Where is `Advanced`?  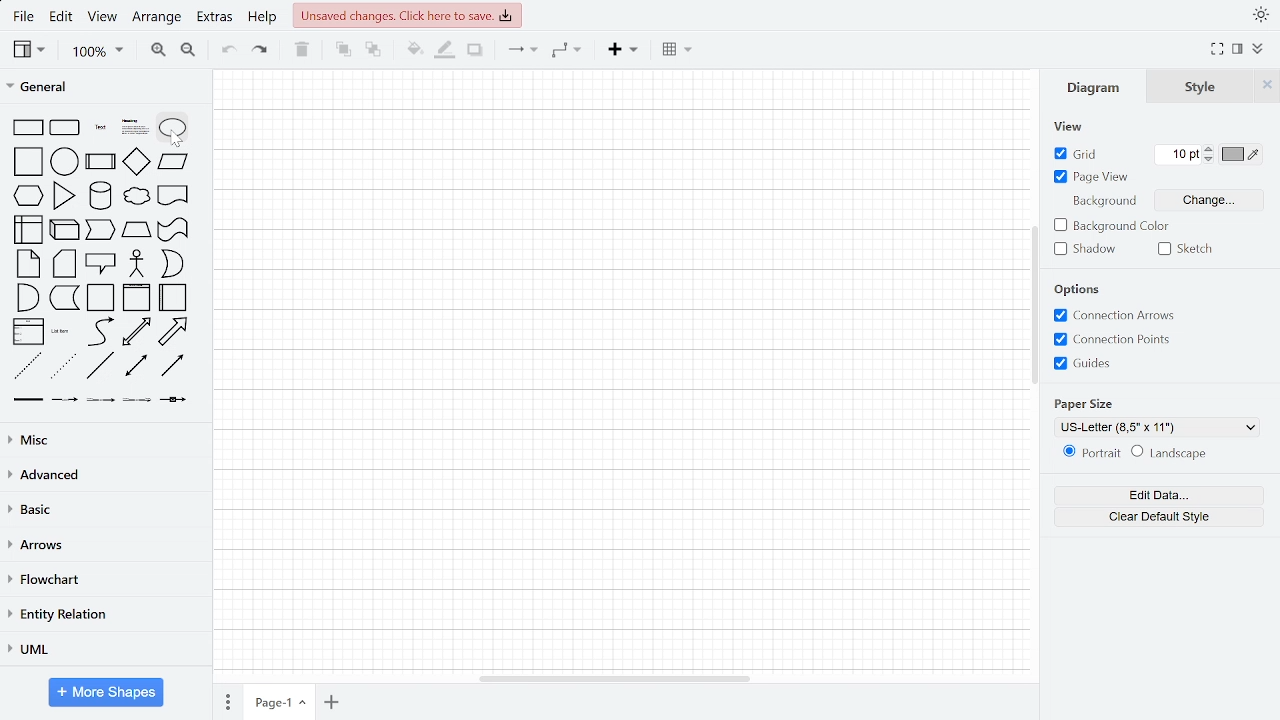 Advanced is located at coordinates (104, 477).